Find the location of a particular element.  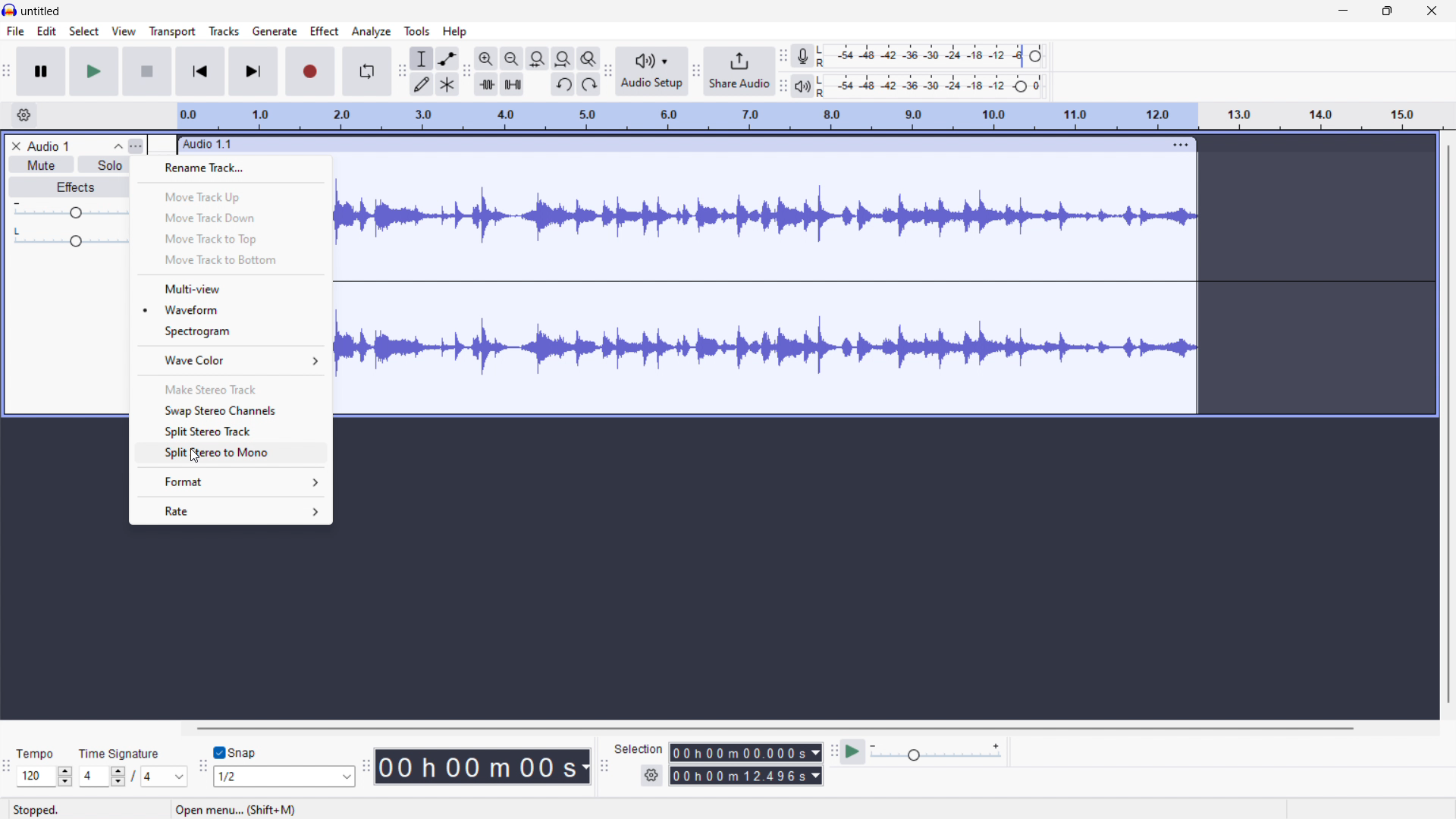

draw tool is located at coordinates (422, 83).